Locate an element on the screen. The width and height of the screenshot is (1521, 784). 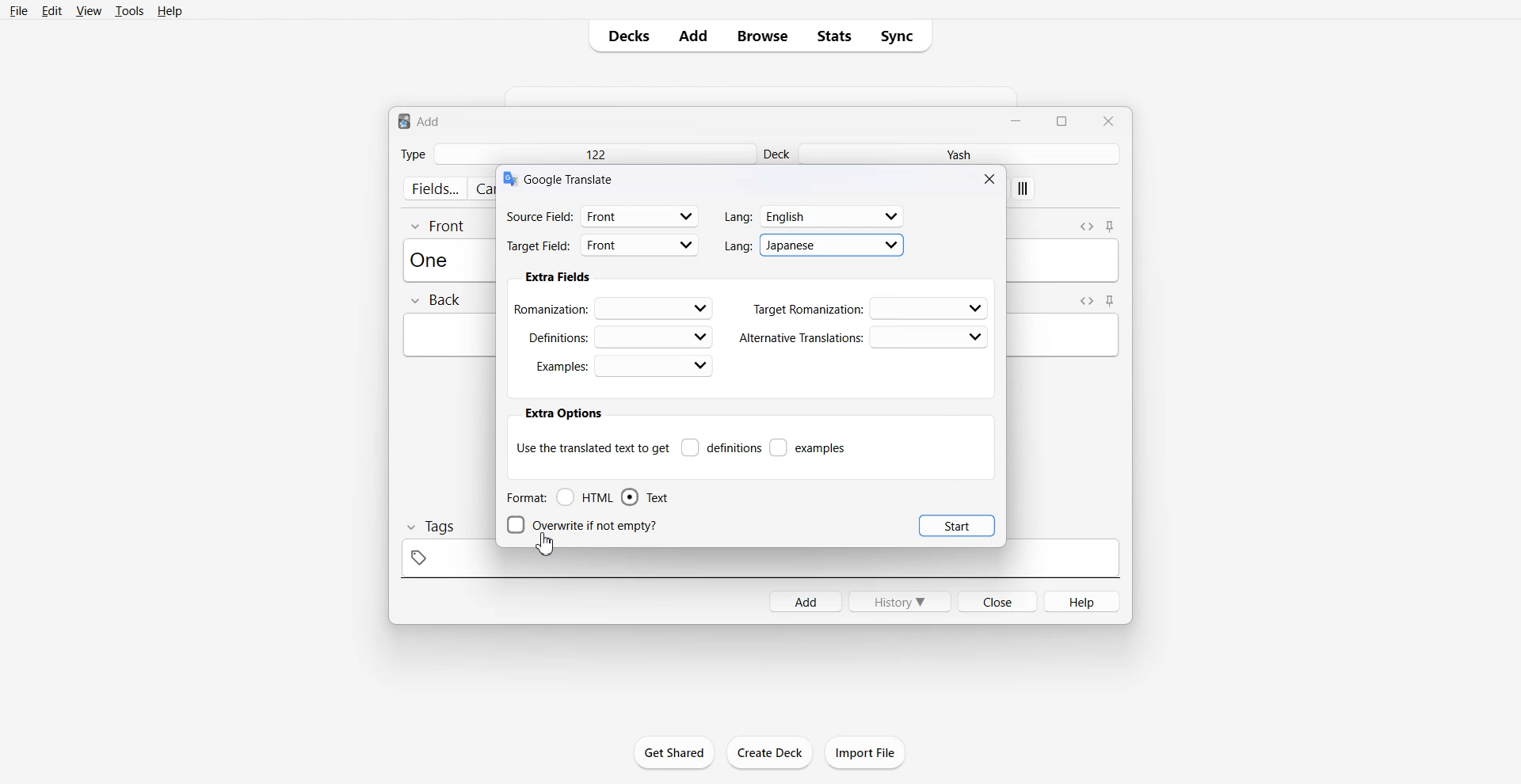
Cursor is located at coordinates (547, 543).